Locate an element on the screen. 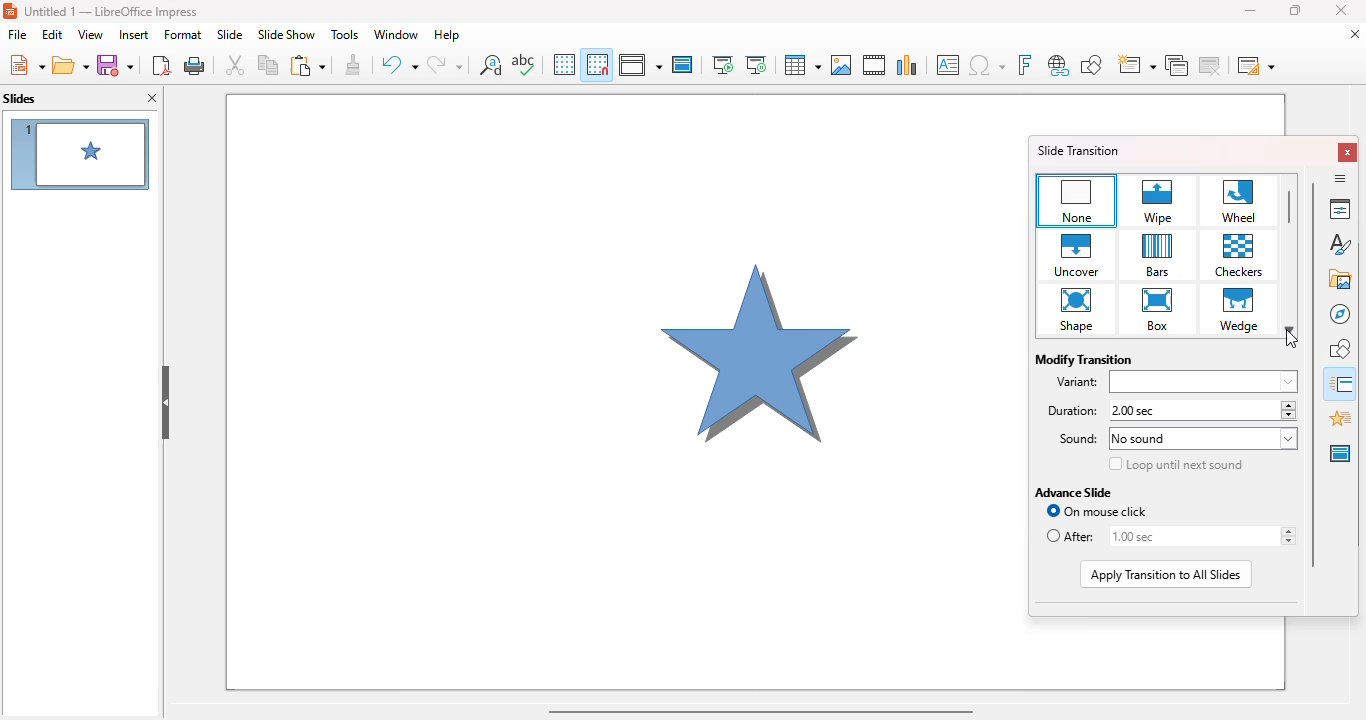  start from first slide is located at coordinates (724, 65).